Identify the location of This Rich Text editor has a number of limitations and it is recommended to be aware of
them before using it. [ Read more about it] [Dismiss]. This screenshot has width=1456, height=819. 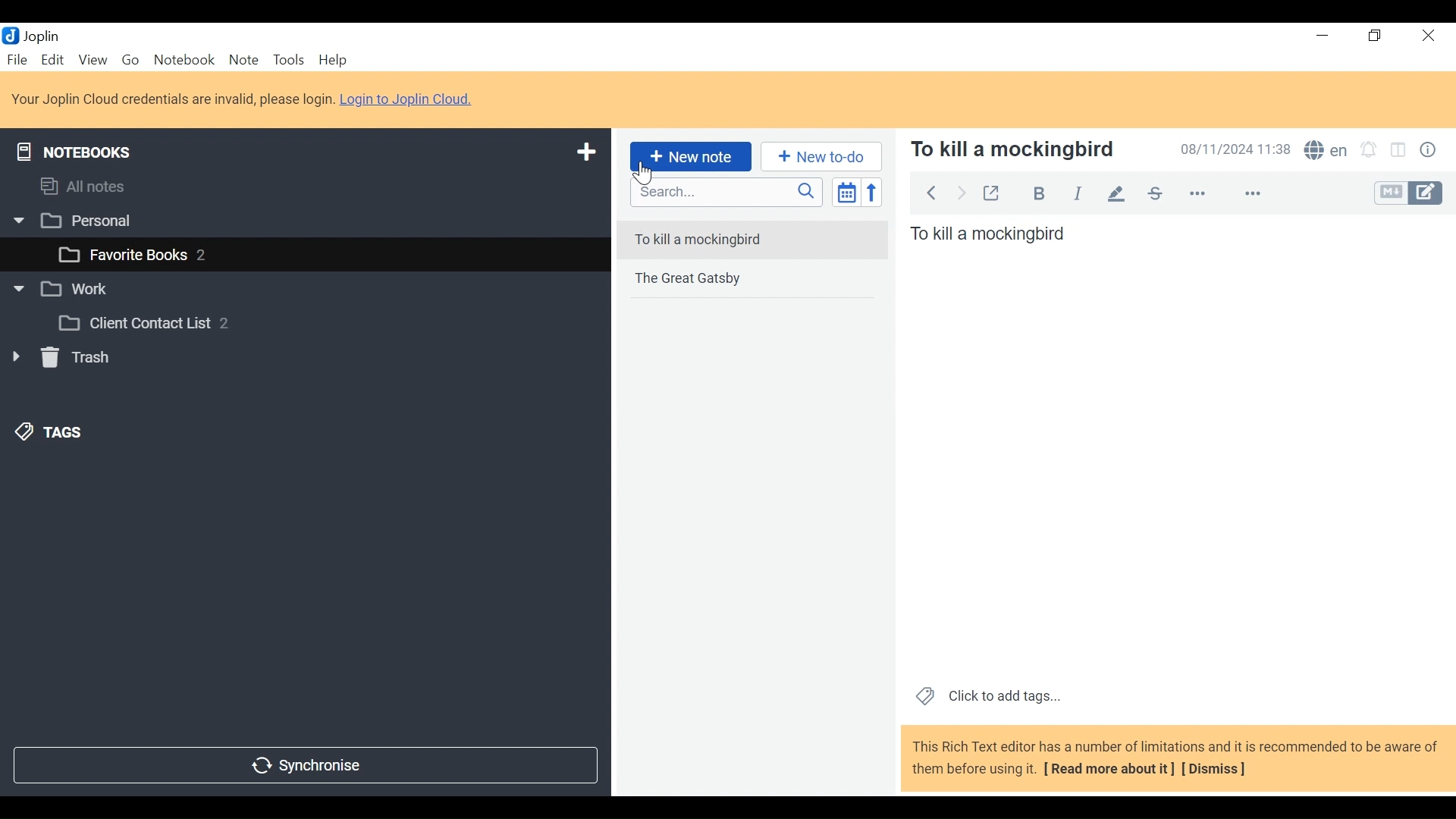
(1175, 759).